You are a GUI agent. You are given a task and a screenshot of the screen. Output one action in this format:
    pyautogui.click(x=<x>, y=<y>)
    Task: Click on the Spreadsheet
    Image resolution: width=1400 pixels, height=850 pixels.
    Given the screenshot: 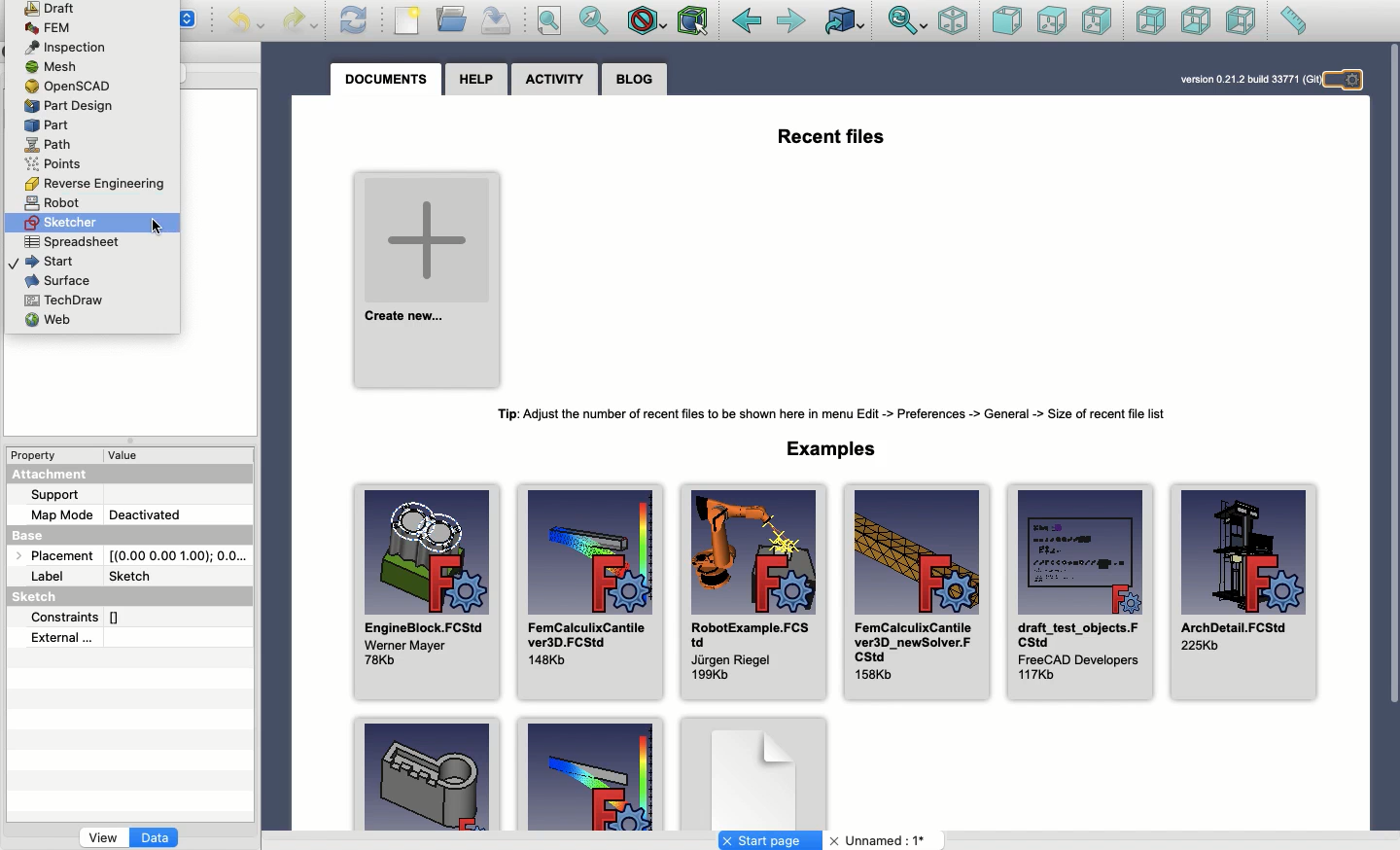 What is the action you would take?
    pyautogui.click(x=71, y=241)
    